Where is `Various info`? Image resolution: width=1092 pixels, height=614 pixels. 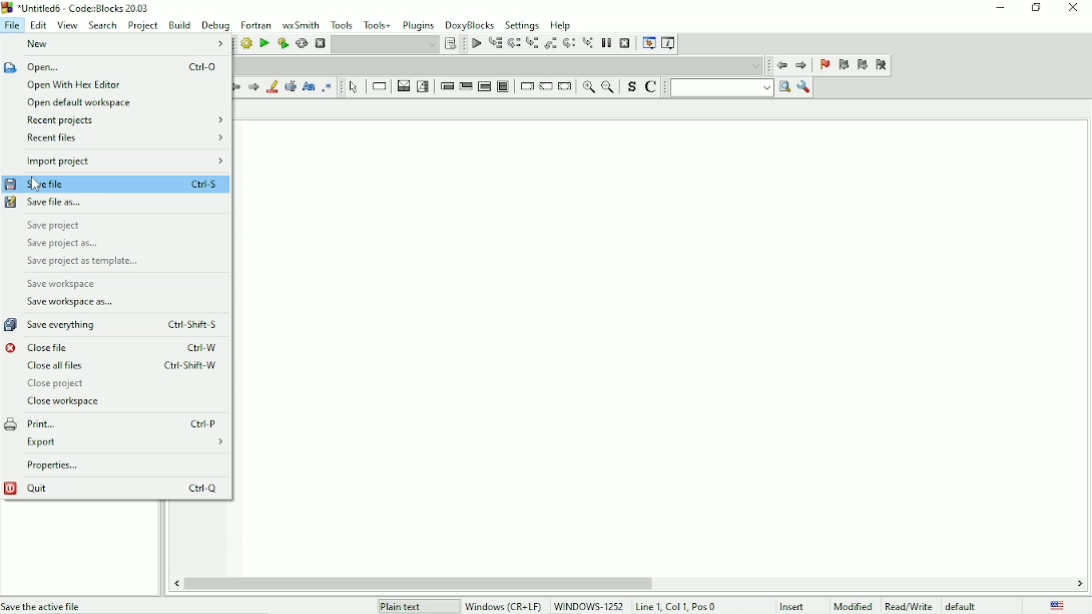 Various info is located at coordinates (670, 43).